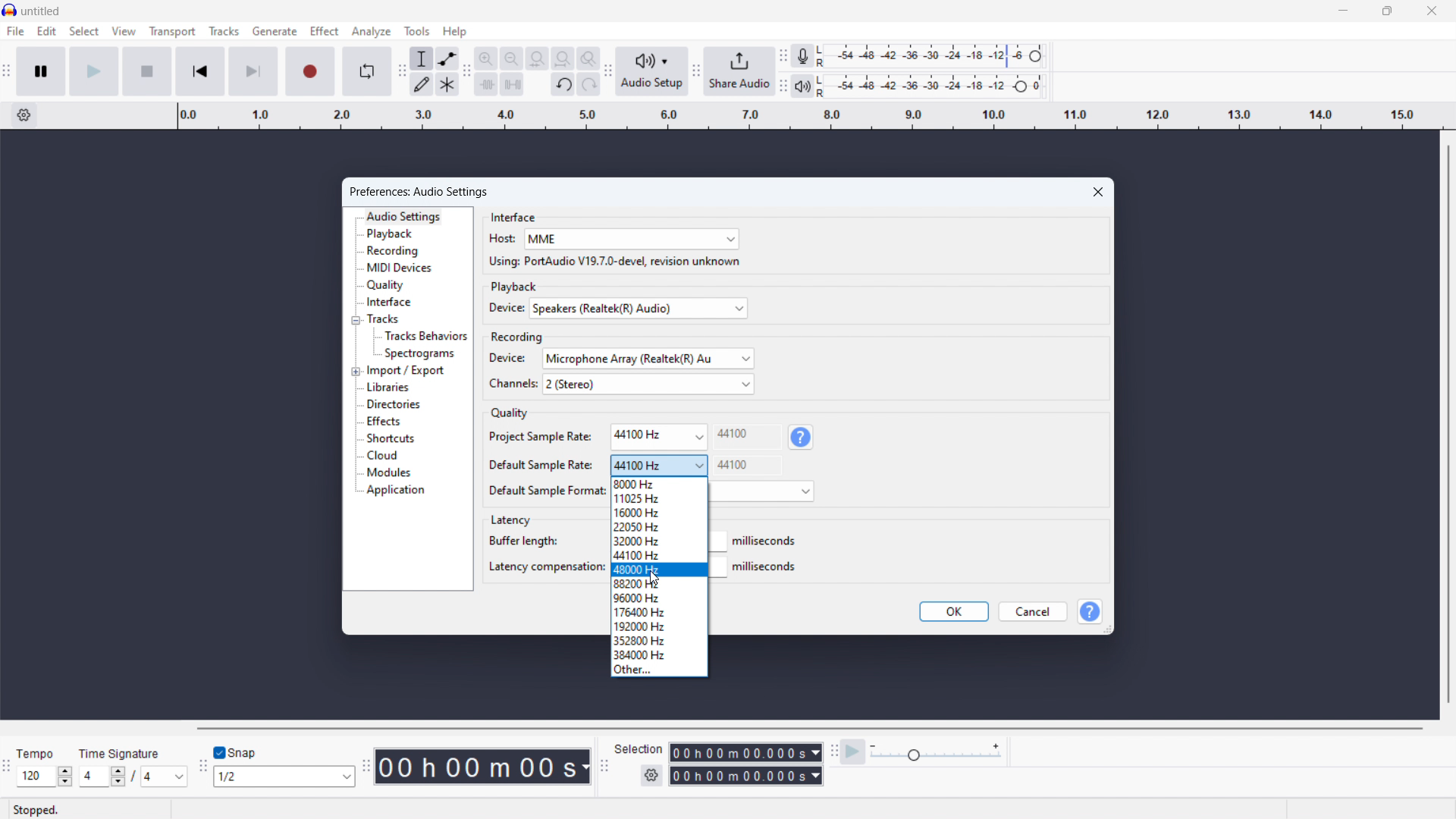  What do you see at coordinates (16, 31) in the screenshot?
I see `file` at bounding box center [16, 31].